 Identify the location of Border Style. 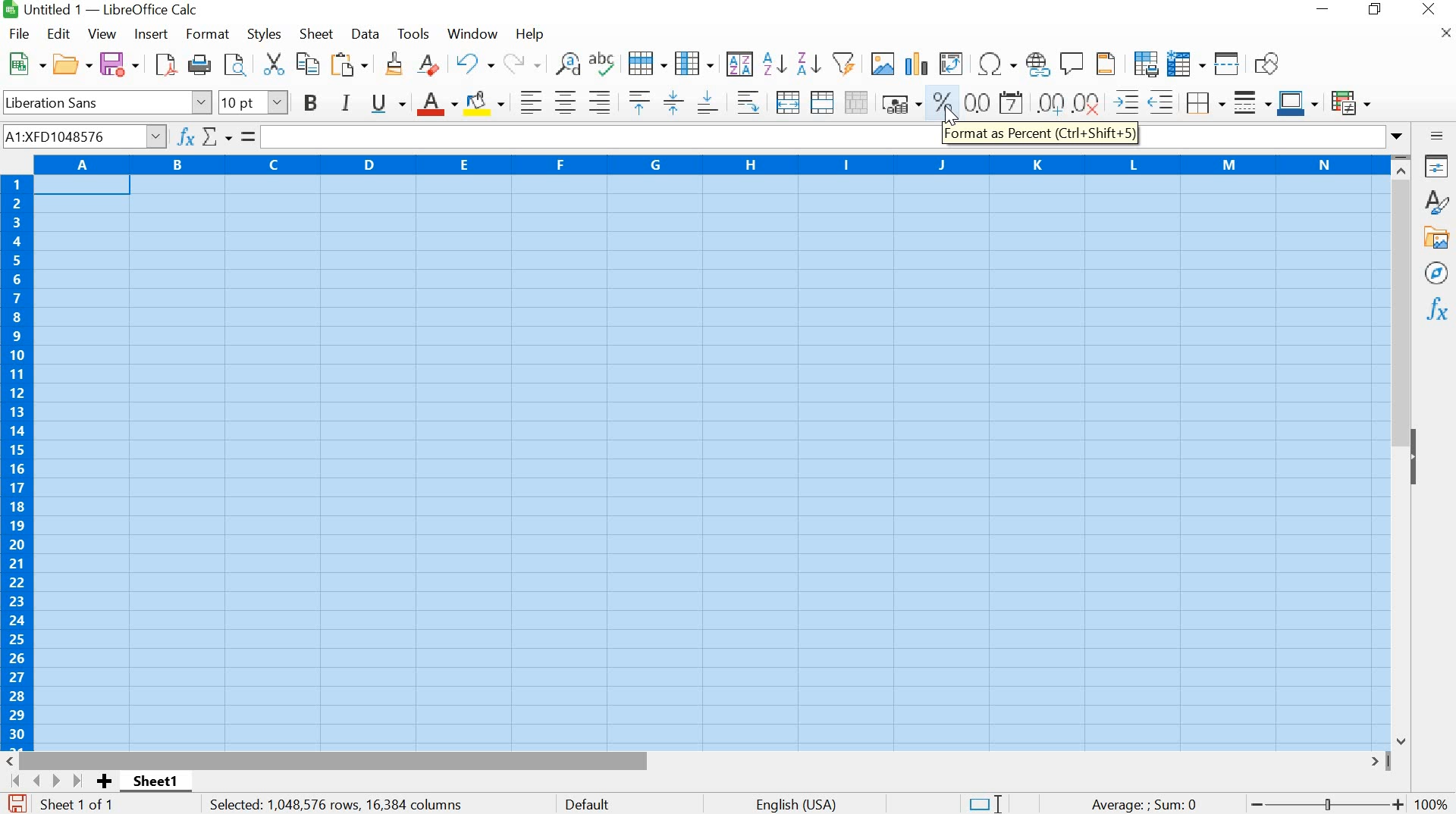
(1252, 103).